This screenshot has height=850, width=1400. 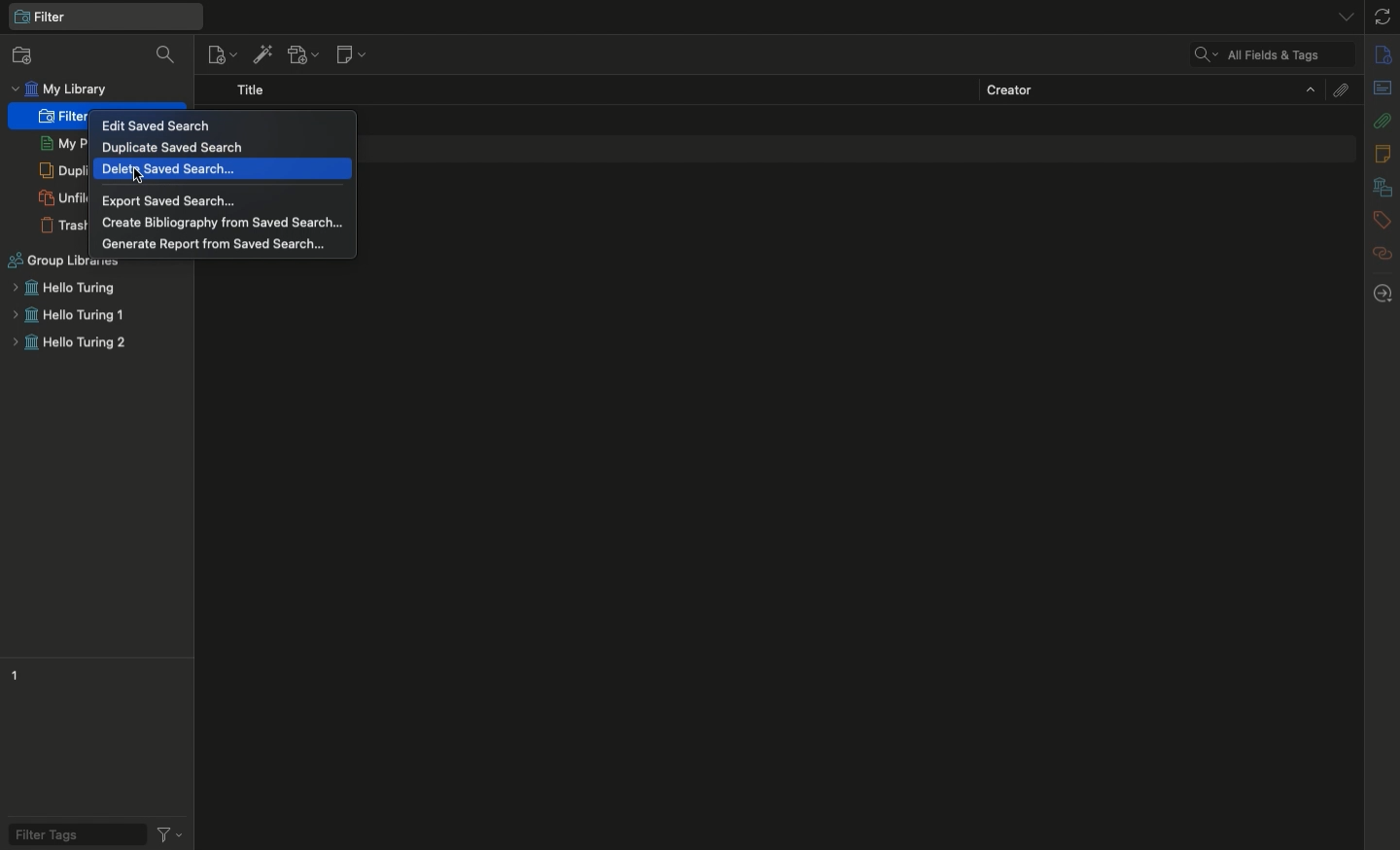 What do you see at coordinates (22, 57) in the screenshot?
I see `New collection` at bounding box center [22, 57].